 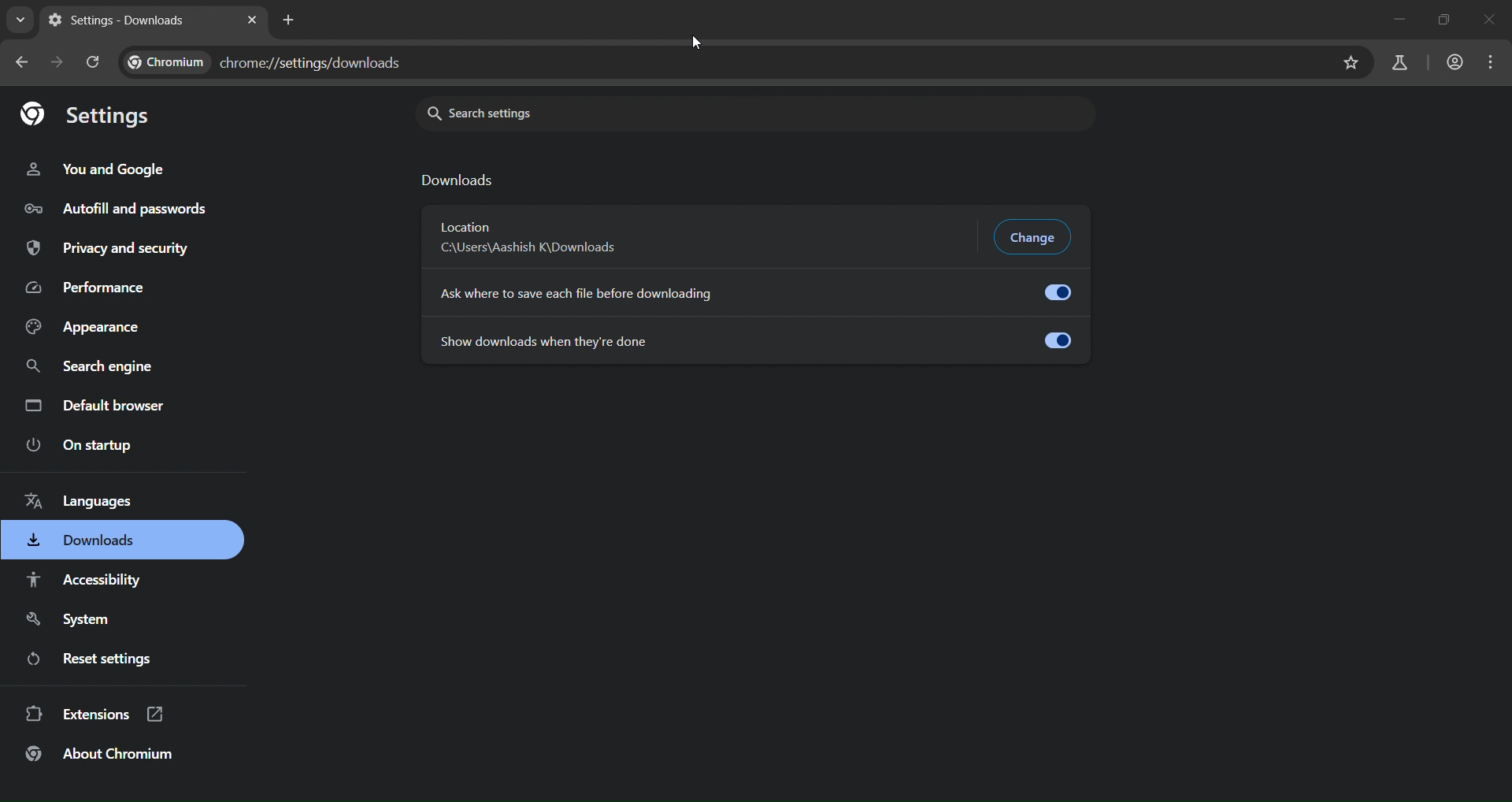 I want to click on system, so click(x=65, y=620).